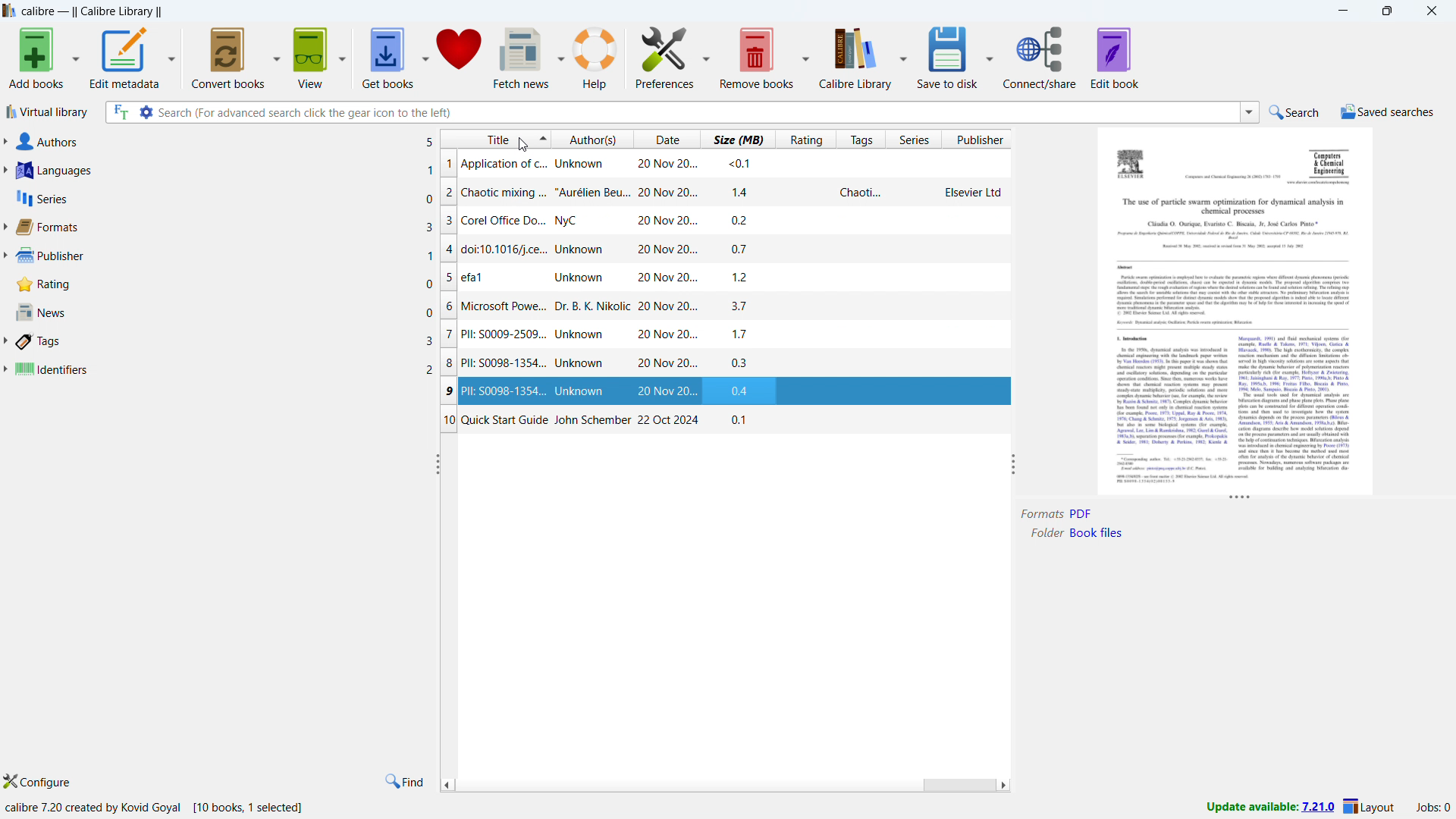 This screenshot has width=1456, height=819. What do you see at coordinates (223, 285) in the screenshot?
I see `rating` at bounding box center [223, 285].